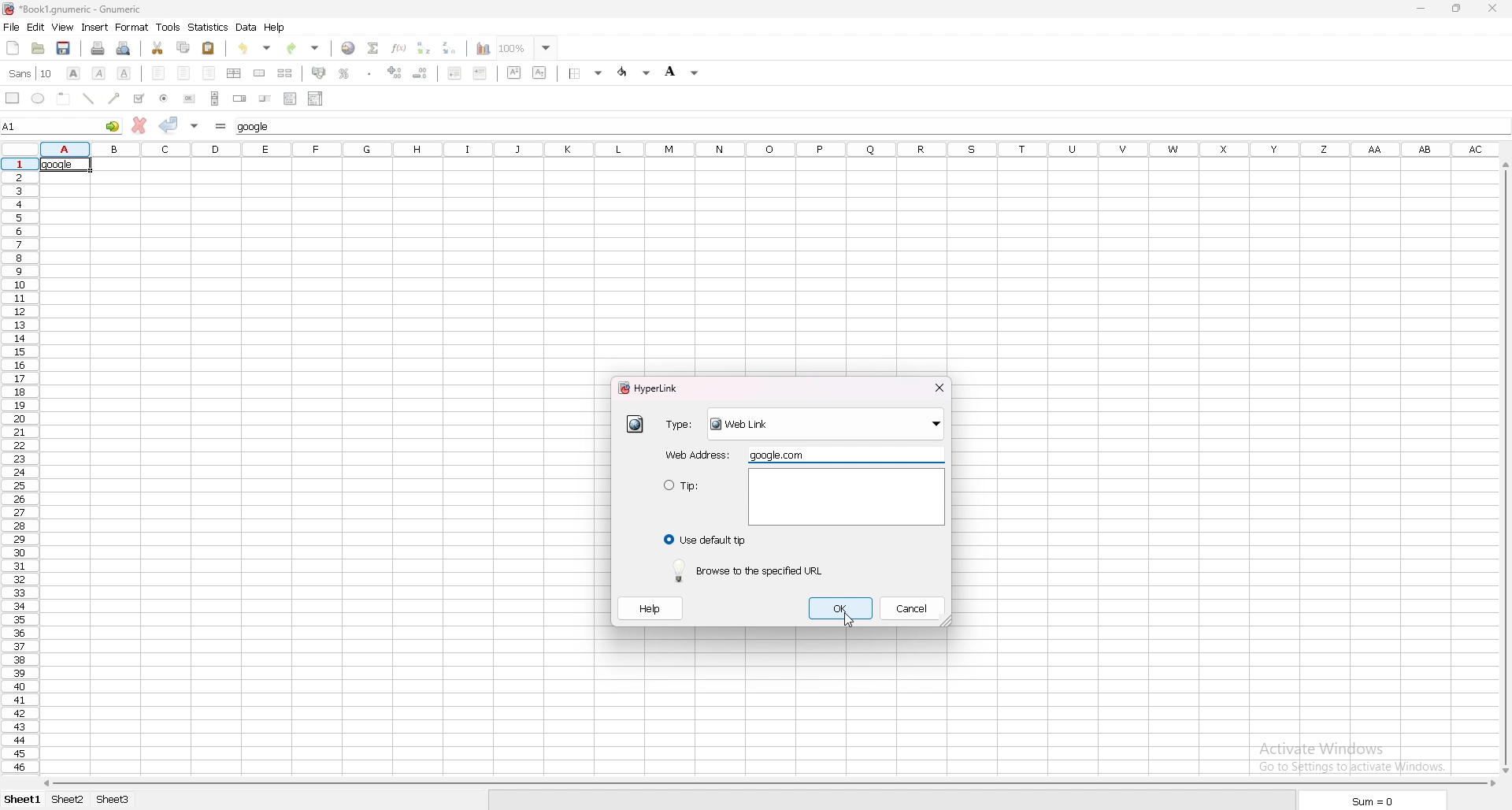  What do you see at coordinates (220, 125) in the screenshot?
I see `formula` at bounding box center [220, 125].